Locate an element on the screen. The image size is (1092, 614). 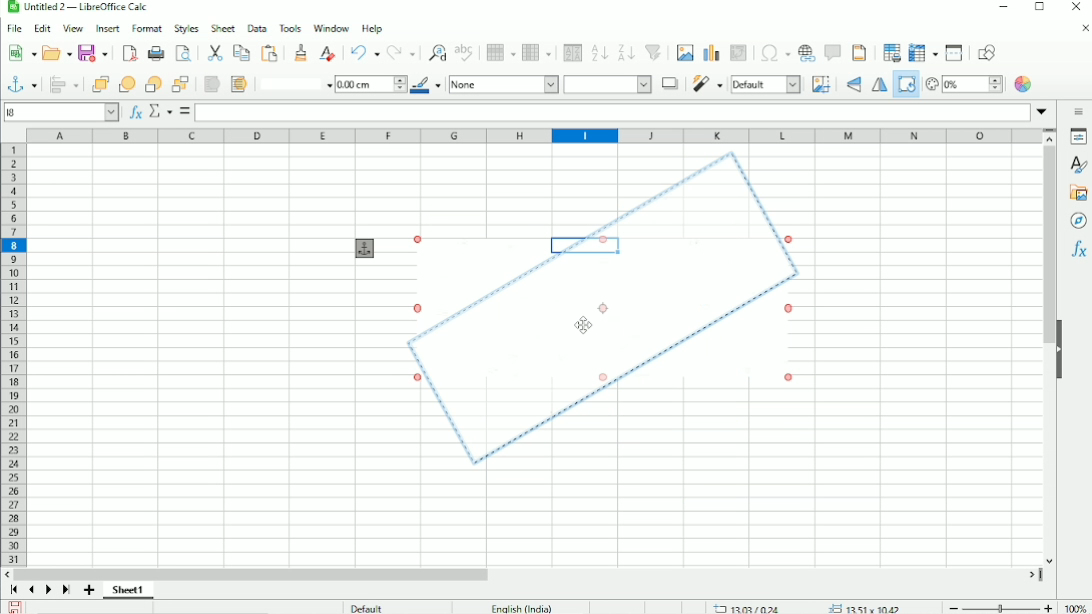
Sidebar settings is located at coordinates (1076, 111).